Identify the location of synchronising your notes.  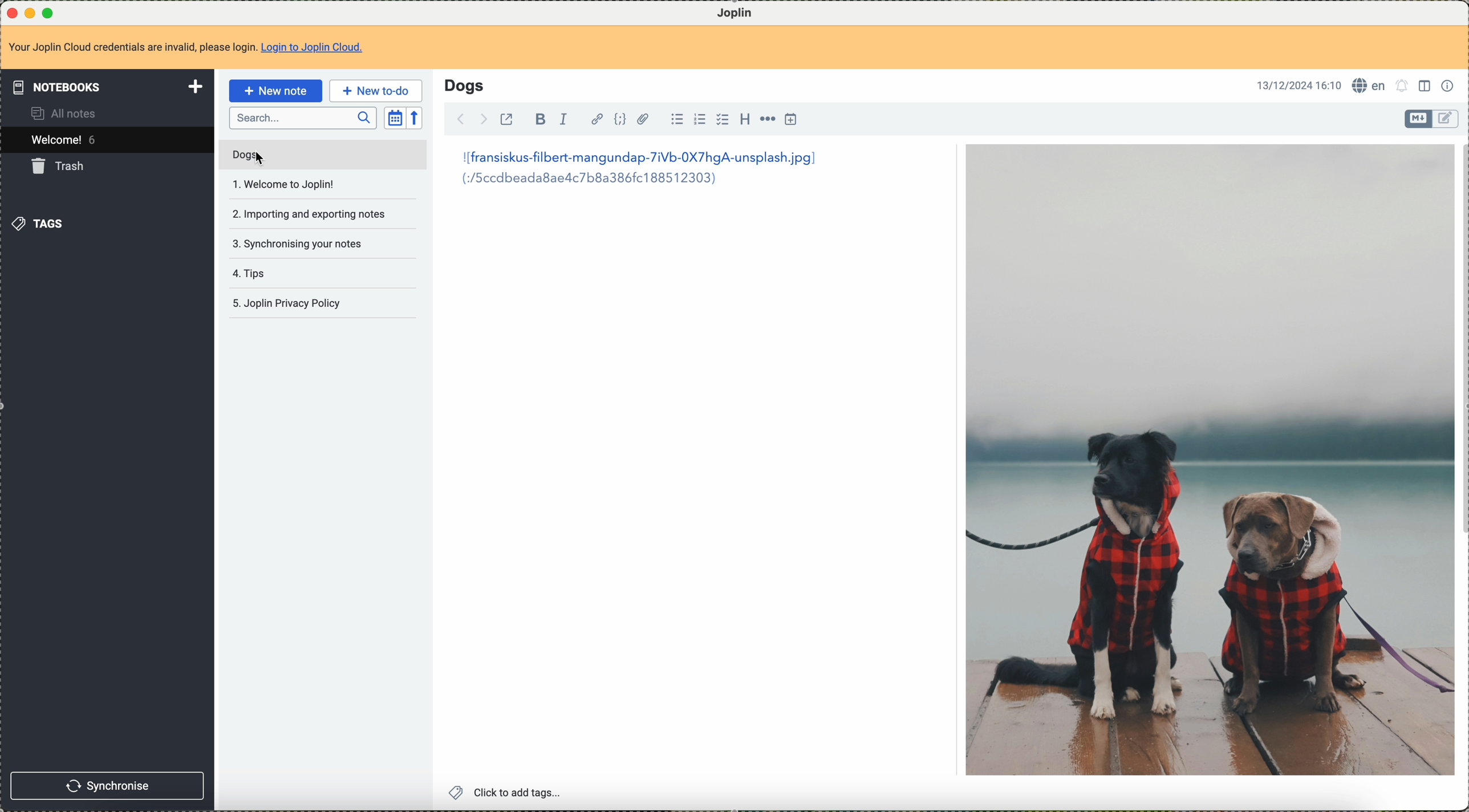
(301, 243).